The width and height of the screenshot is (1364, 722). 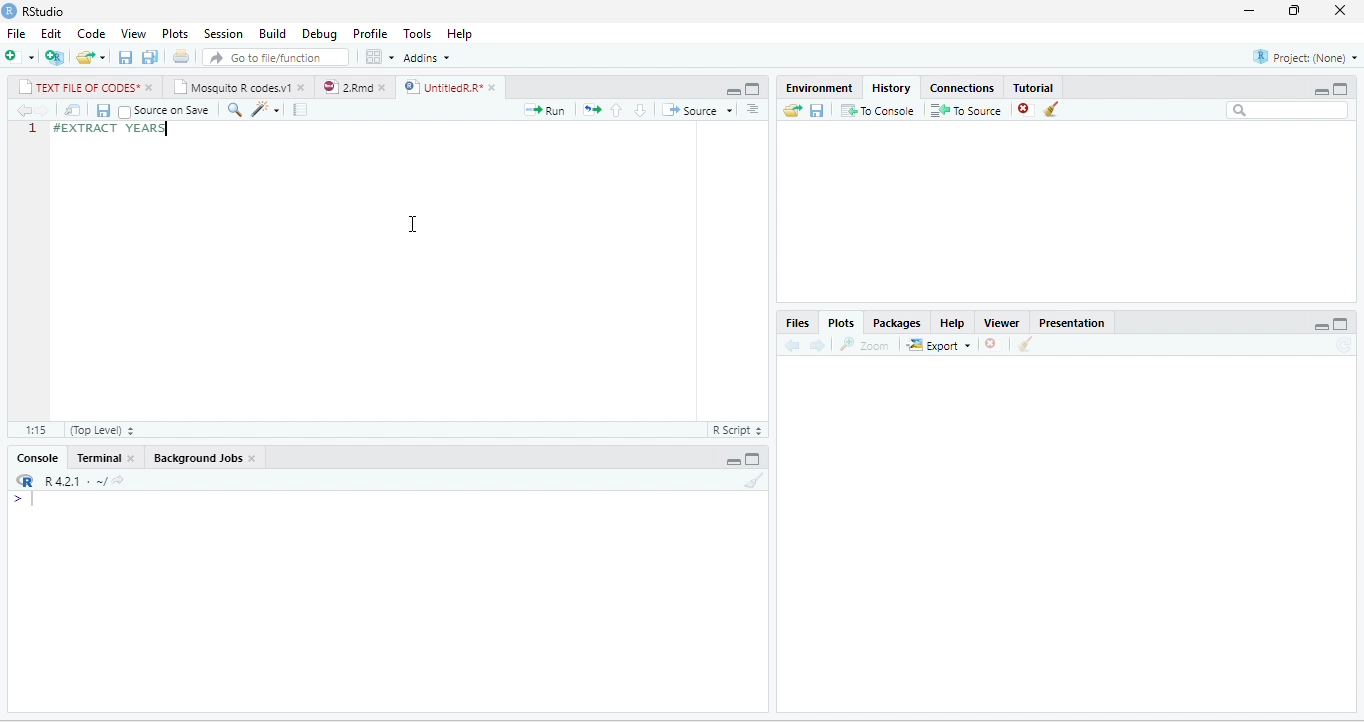 I want to click on RStudio, so click(x=46, y=12).